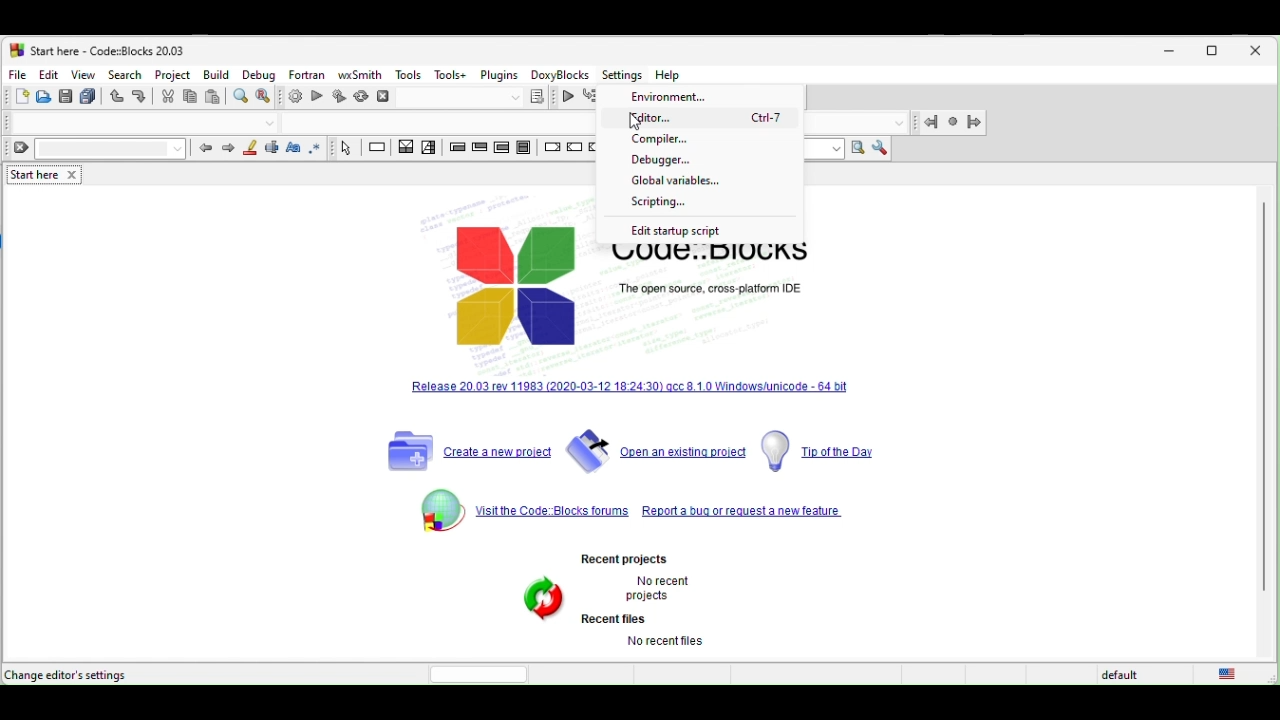  What do you see at coordinates (16, 72) in the screenshot?
I see `file` at bounding box center [16, 72].